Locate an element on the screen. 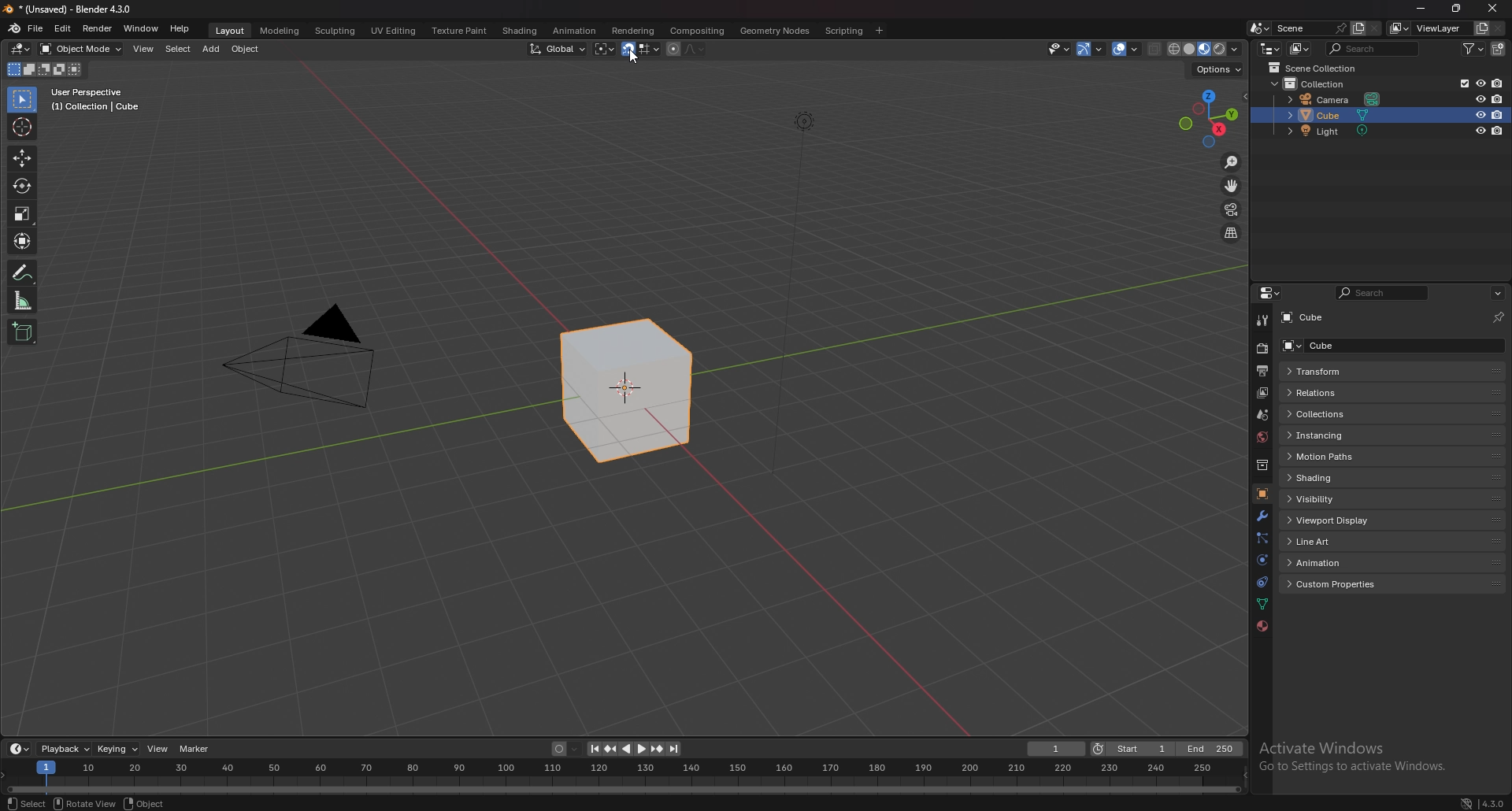  options is located at coordinates (1221, 71).